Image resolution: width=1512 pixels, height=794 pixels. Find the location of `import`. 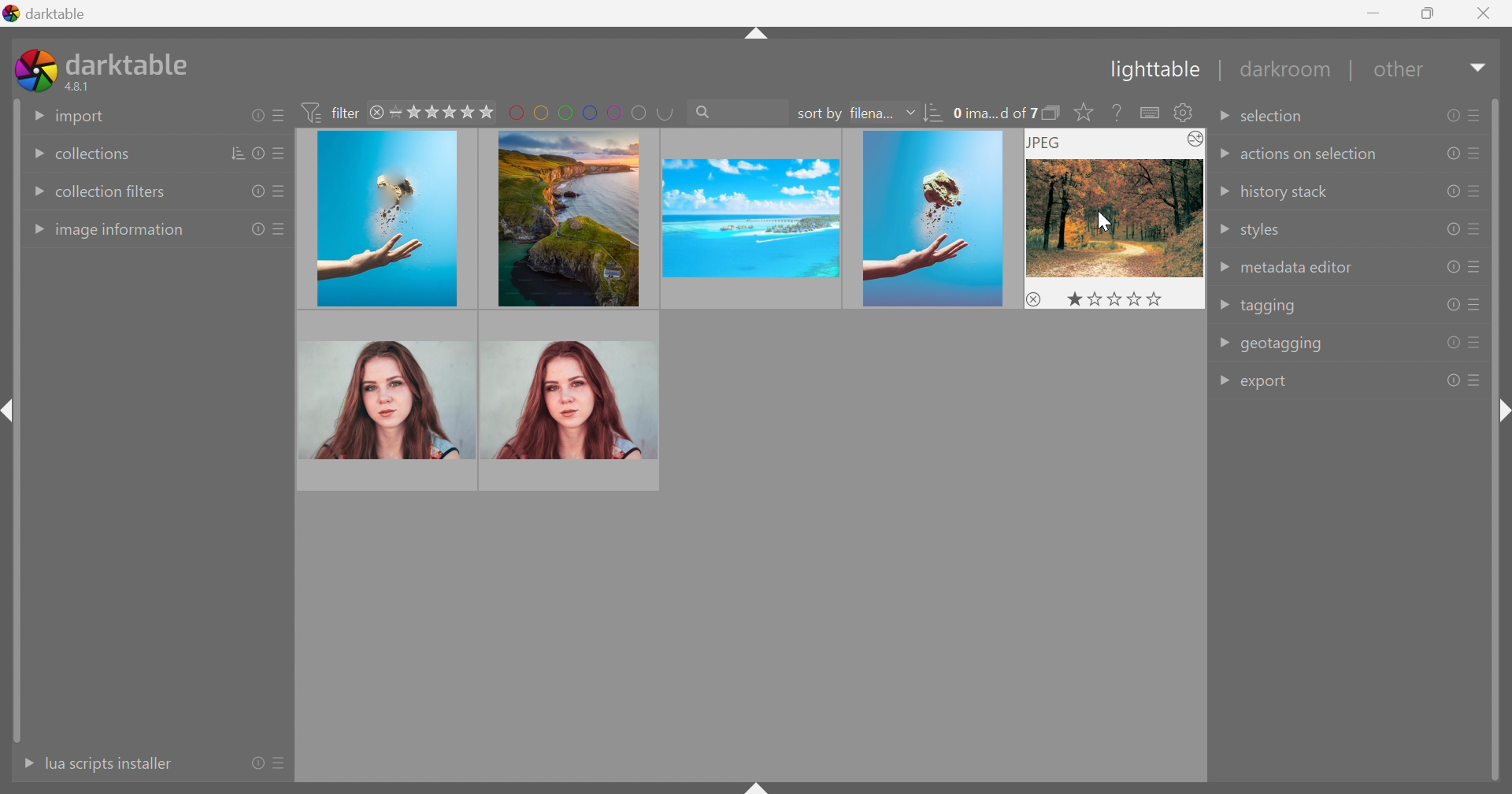

import is located at coordinates (81, 117).